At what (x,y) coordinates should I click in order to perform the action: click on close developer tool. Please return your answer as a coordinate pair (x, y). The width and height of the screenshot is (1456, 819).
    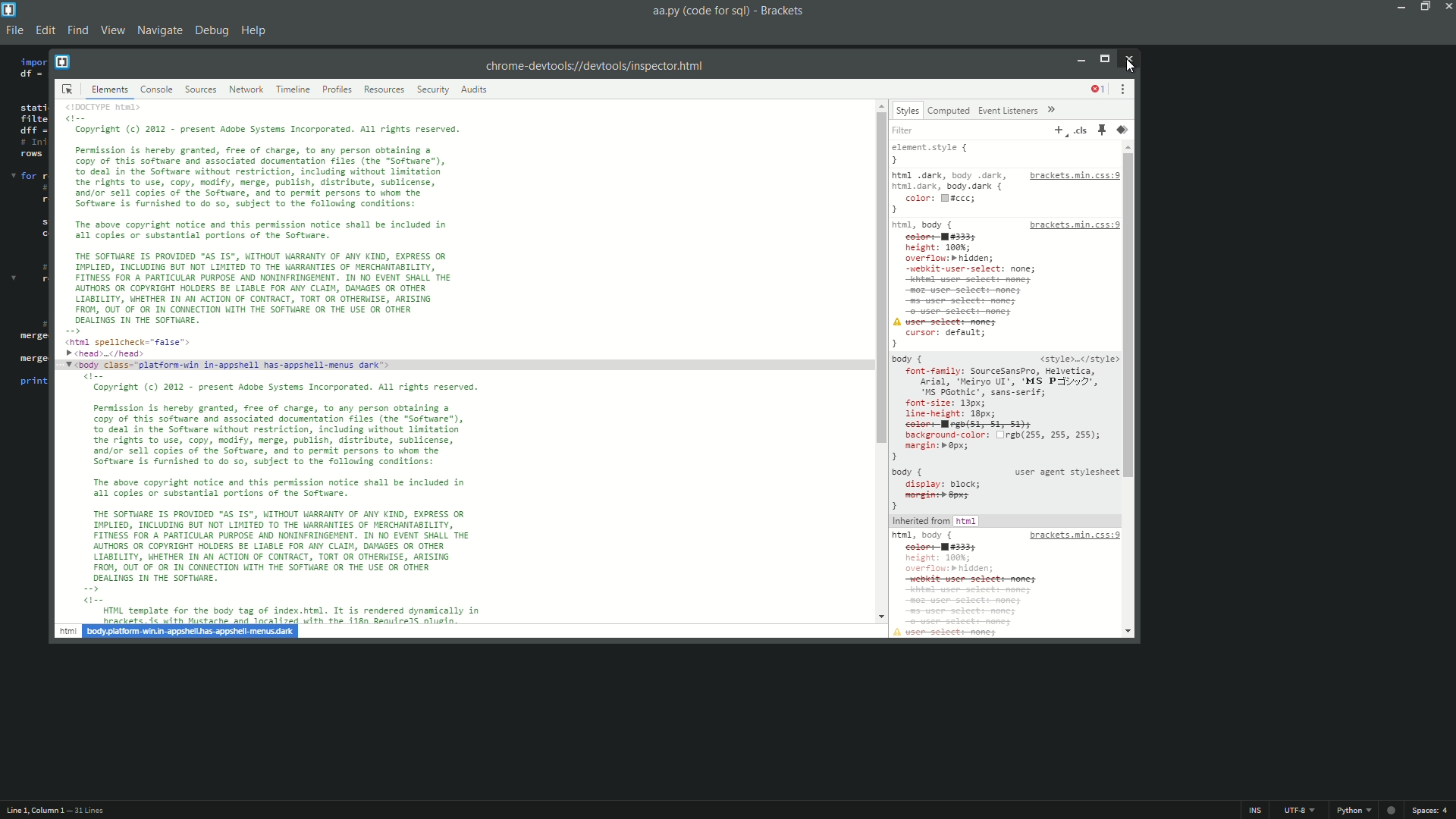
    Looking at the image, I should click on (1128, 59).